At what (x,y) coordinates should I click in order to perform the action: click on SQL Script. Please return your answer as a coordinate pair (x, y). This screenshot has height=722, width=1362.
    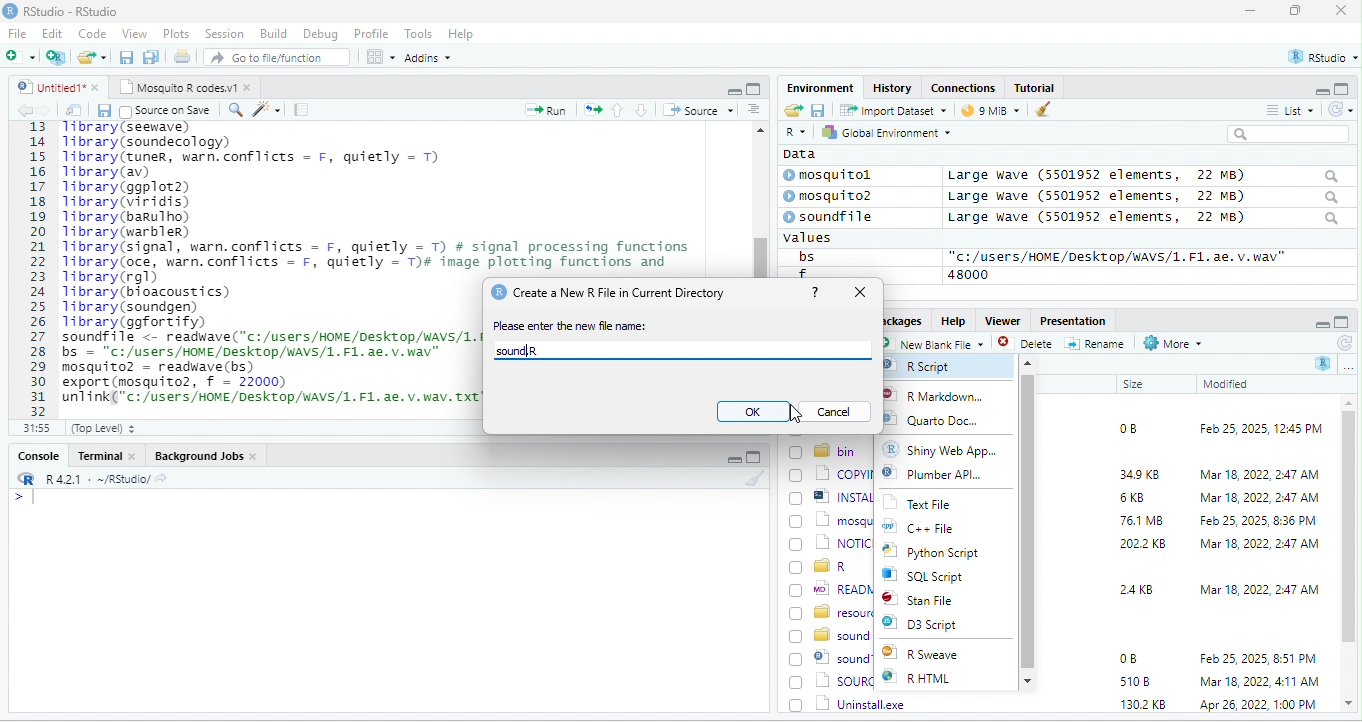
    Looking at the image, I should click on (935, 577).